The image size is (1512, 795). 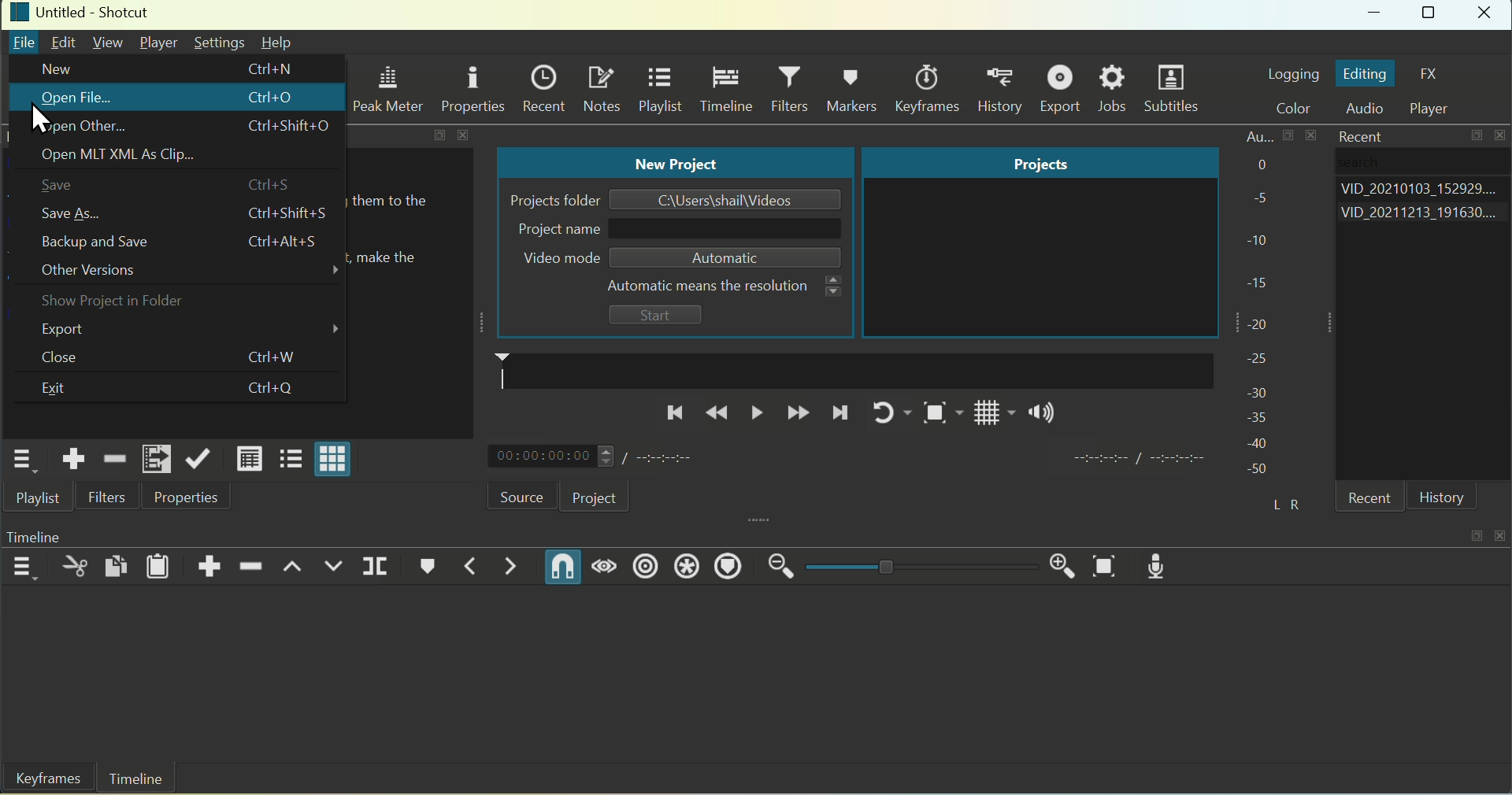 What do you see at coordinates (646, 567) in the screenshot?
I see `Ripple` at bounding box center [646, 567].